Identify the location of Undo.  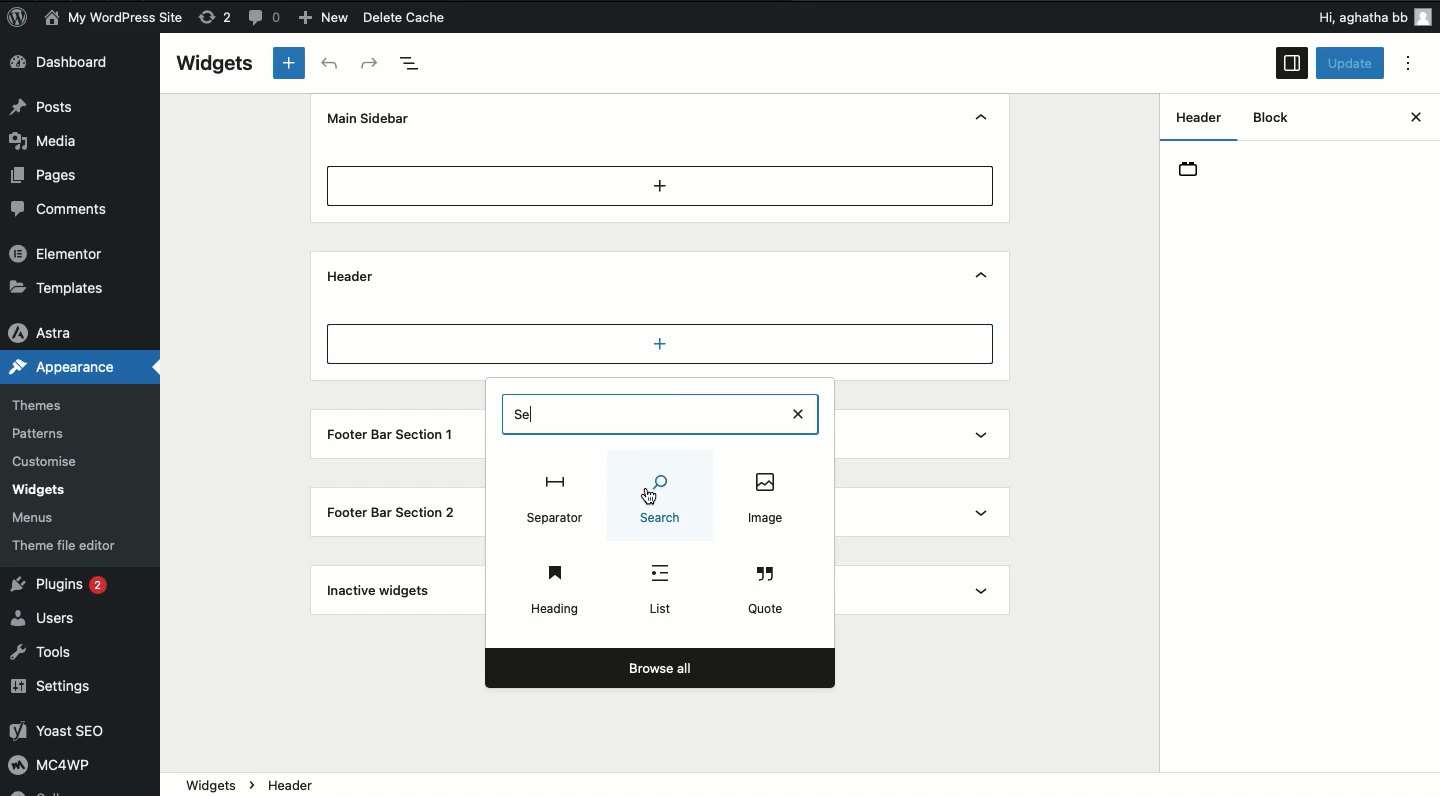
(329, 64).